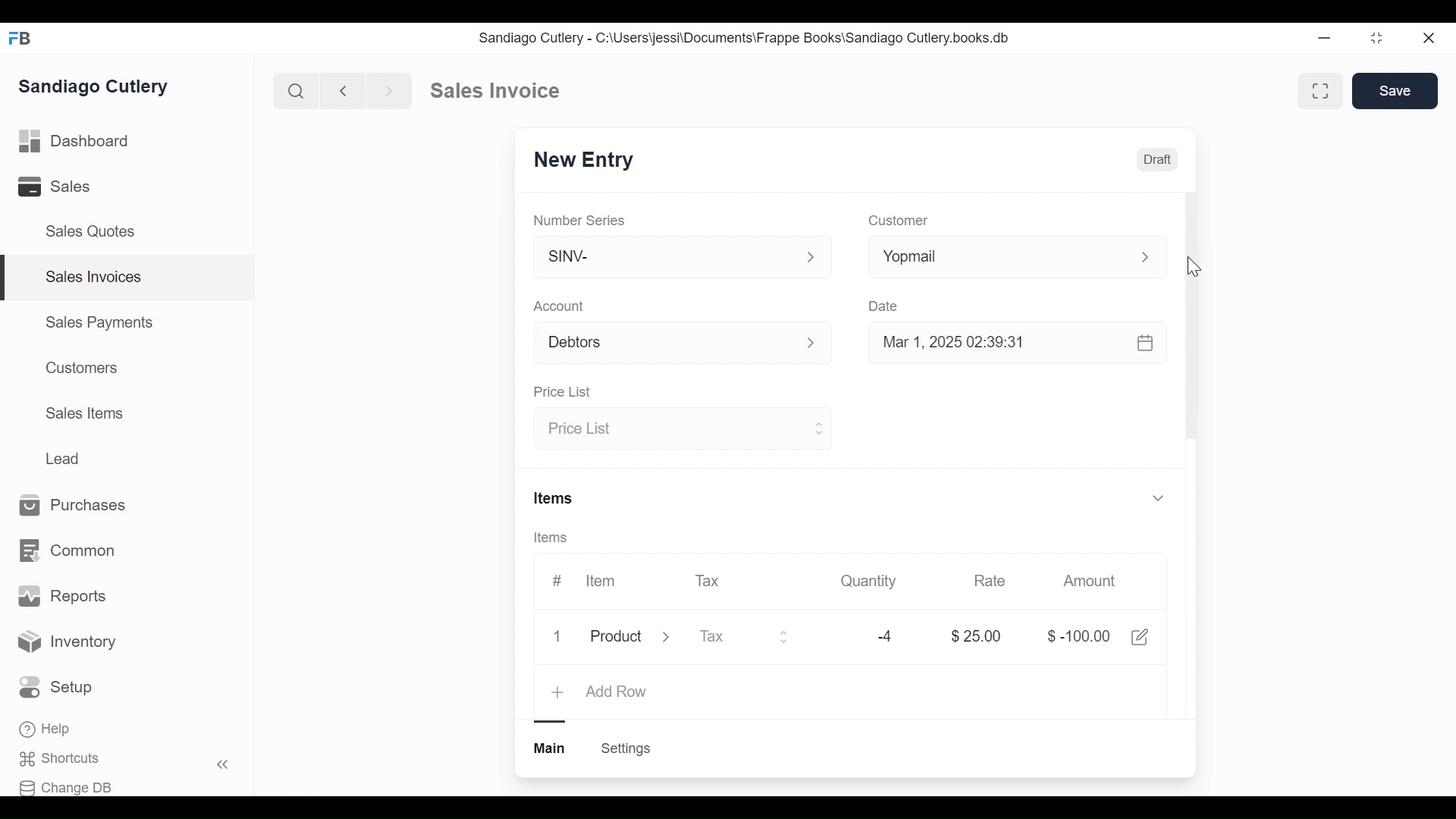  I want to click on Vertical scrollbar, so click(1193, 317).